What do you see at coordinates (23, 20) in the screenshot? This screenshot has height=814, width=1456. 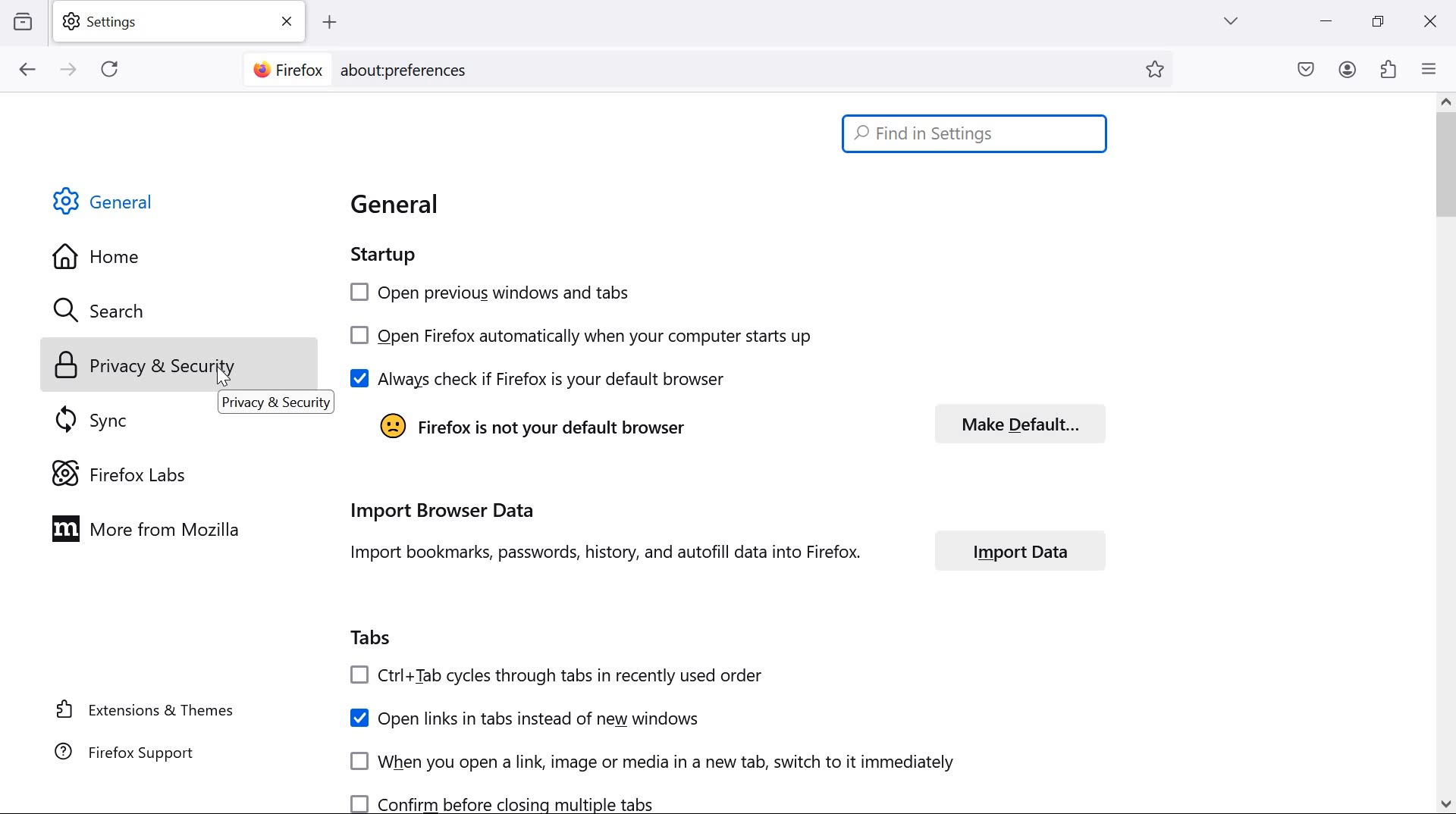 I see `view recent browsing across windows` at bounding box center [23, 20].